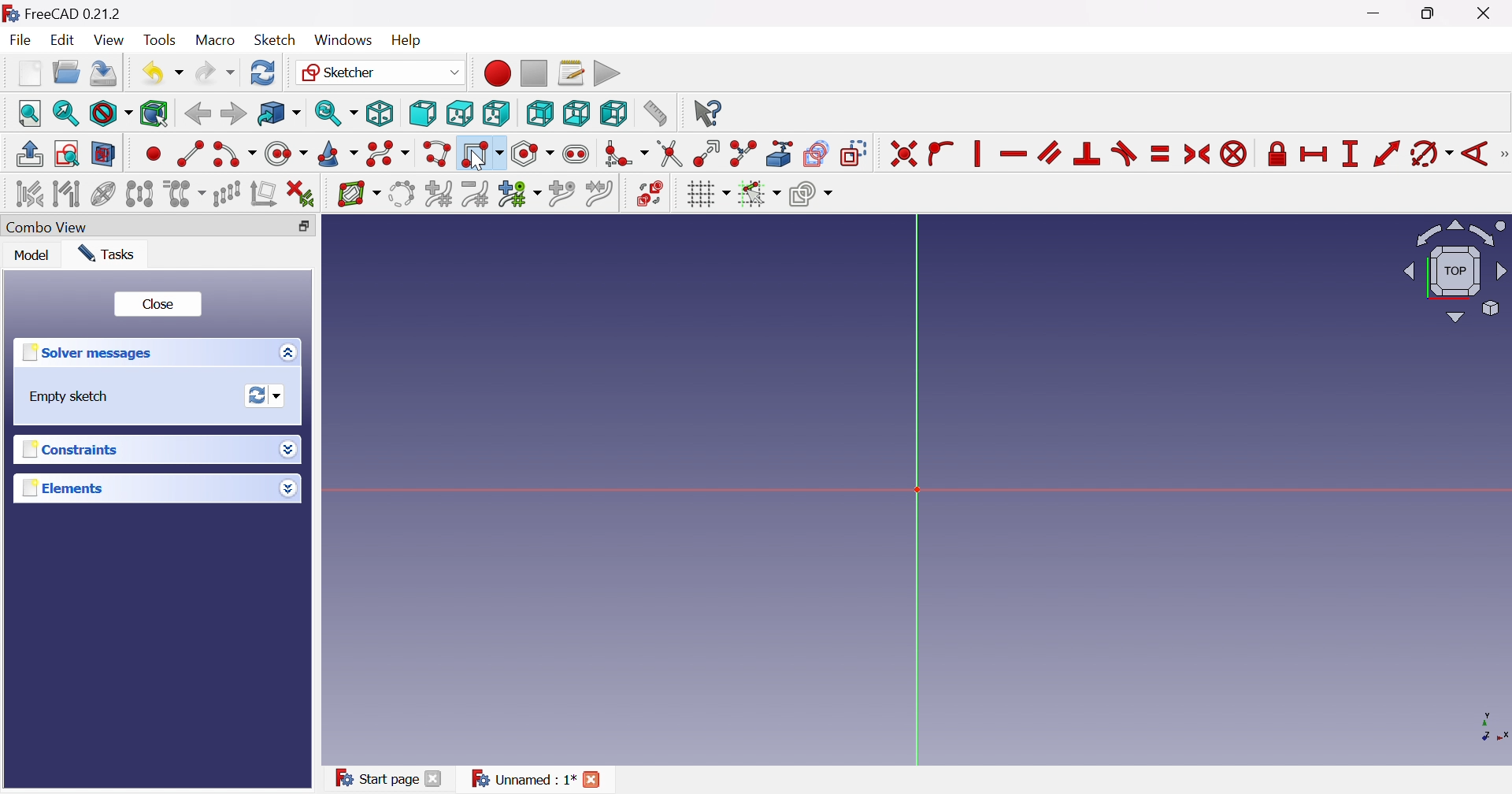 The width and height of the screenshot is (1512, 794). Describe the element at coordinates (1484, 725) in the screenshot. I see `x, y axis plane` at that location.